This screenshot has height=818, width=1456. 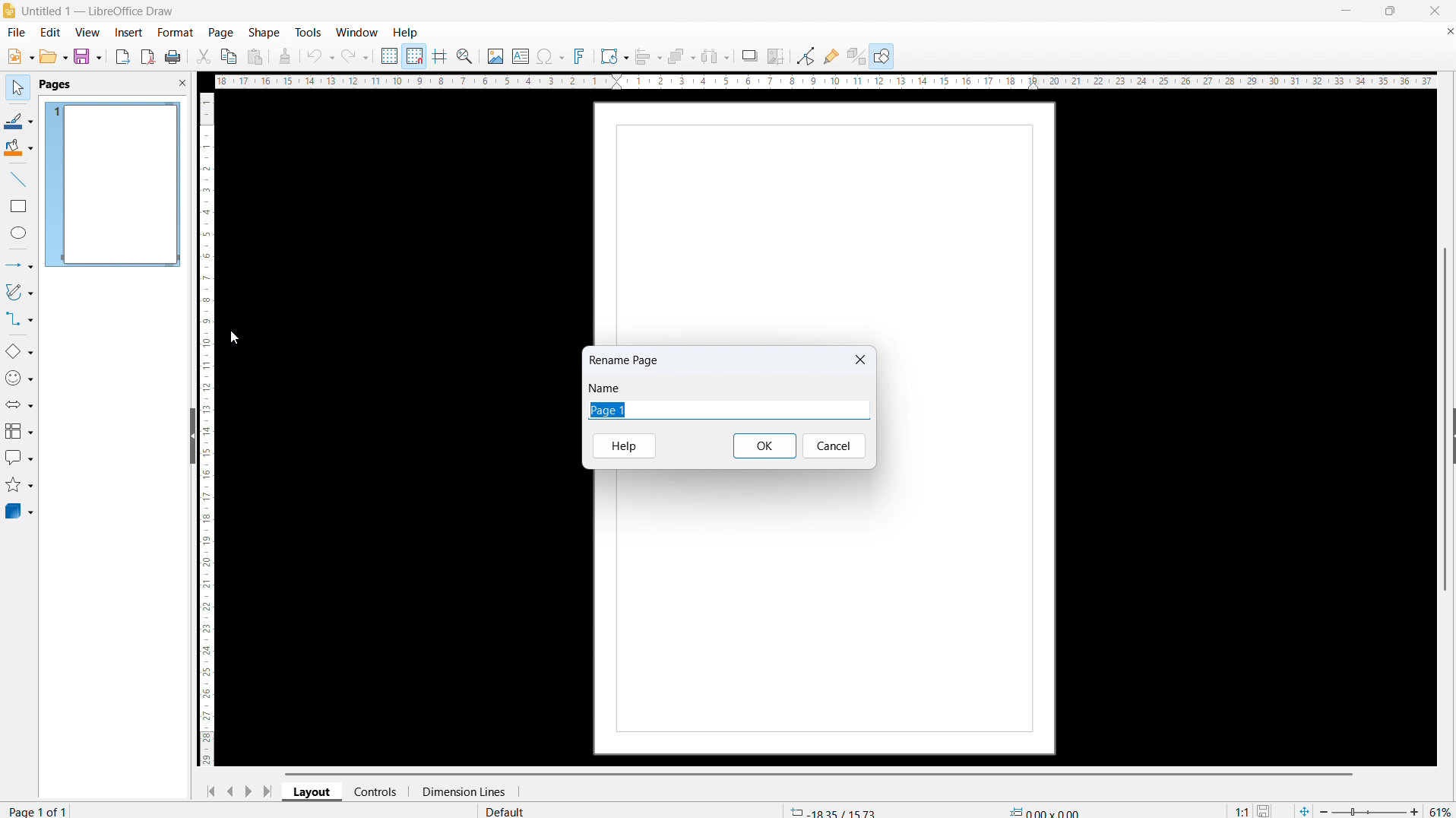 I want to click on Cancel , so click(x=835, y=446).